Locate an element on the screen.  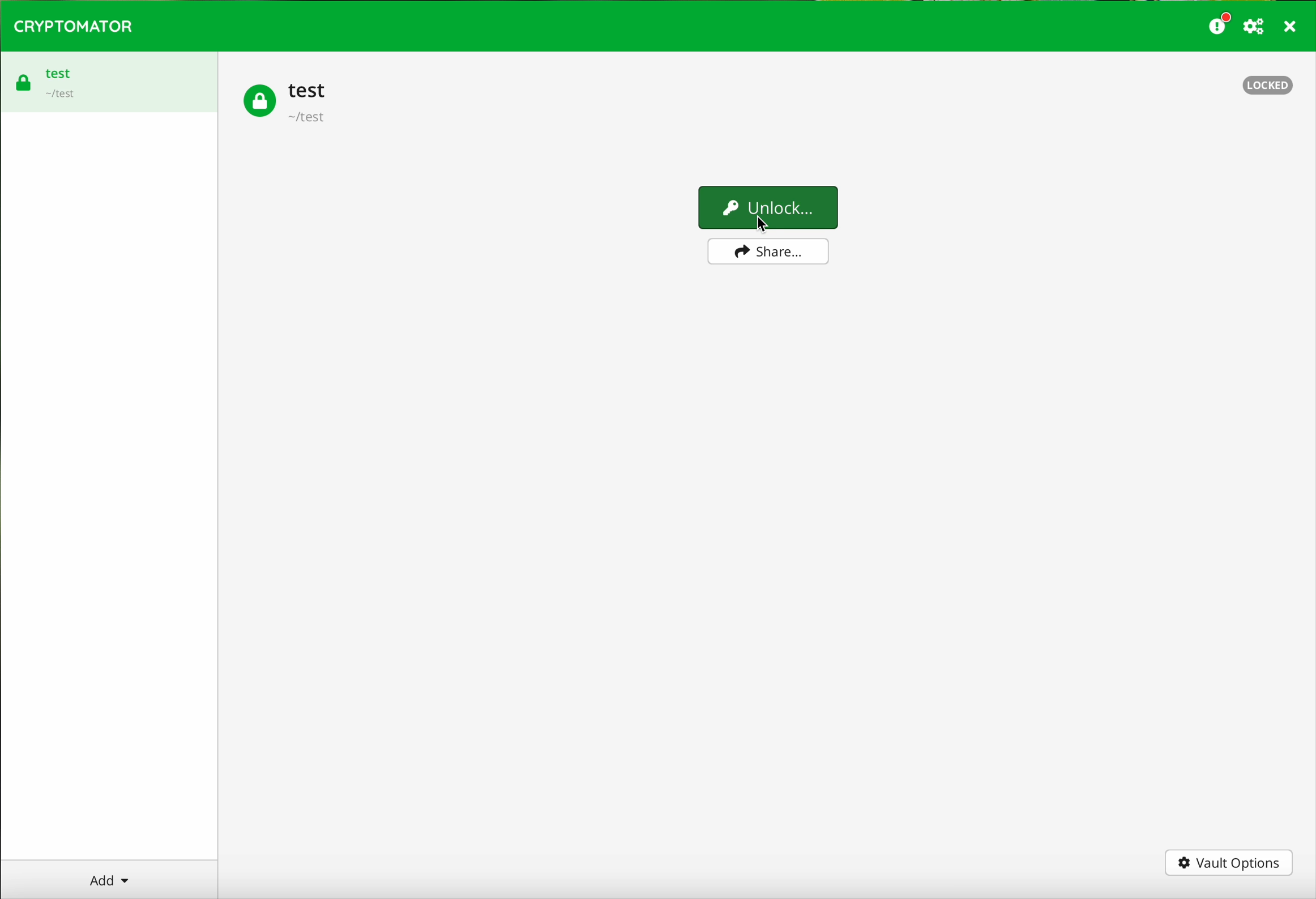
 test vault is located at coordinates (109, 80).